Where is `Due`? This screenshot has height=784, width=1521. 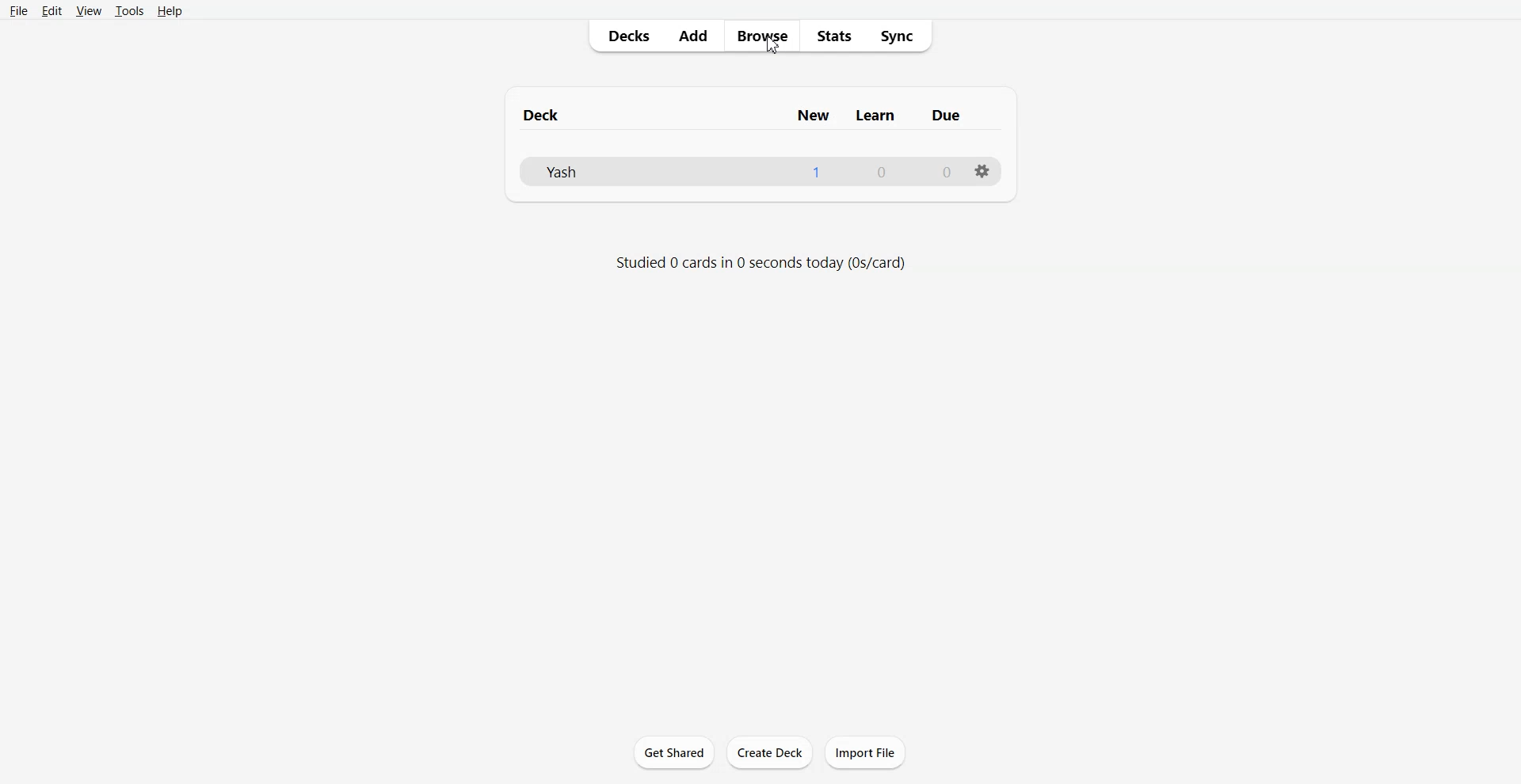 Due is located at coordinates (951, 114).